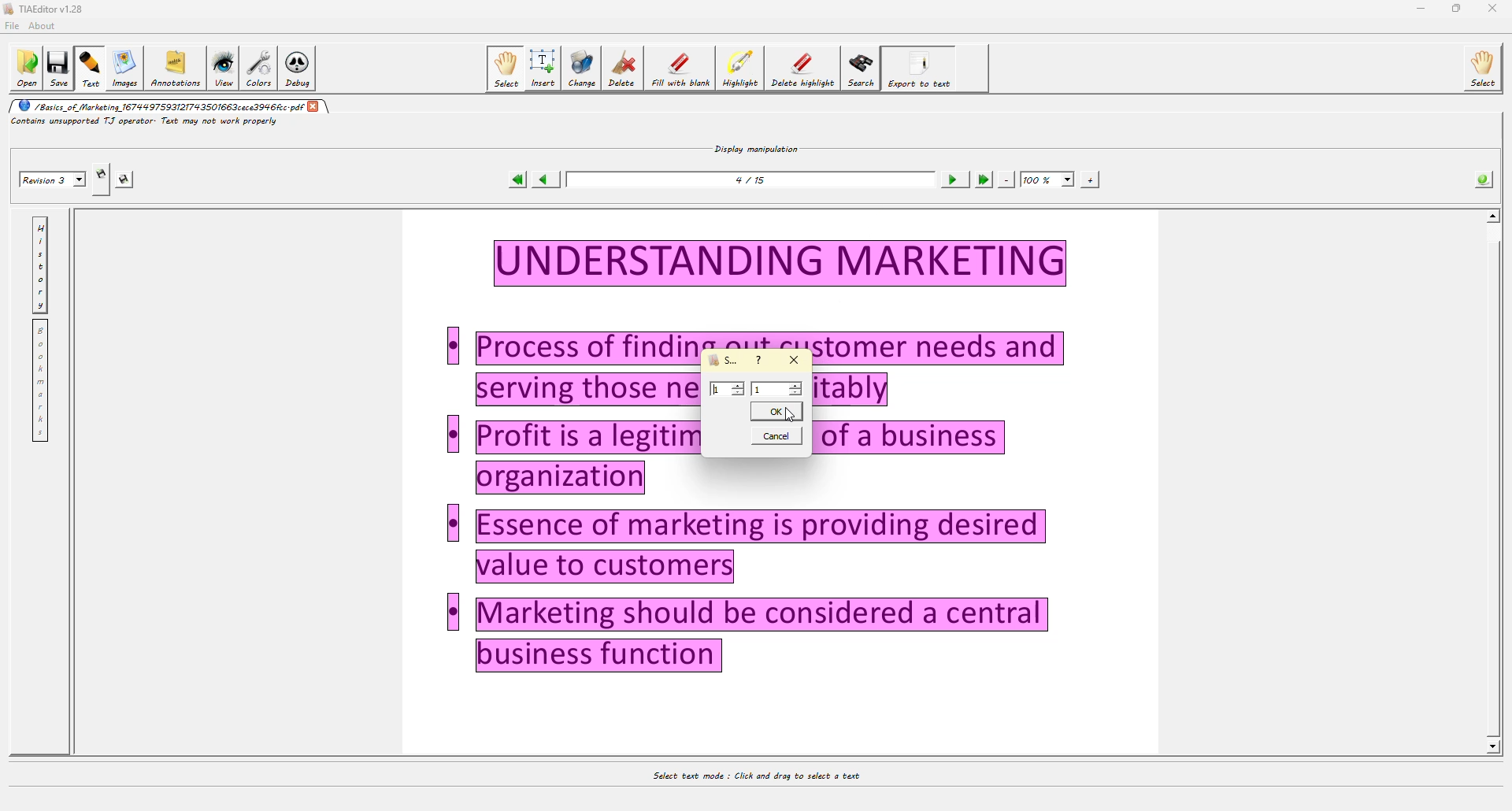 The width and height of the screenshot is (1512, 811). Describe the element at coordinates (150, 126) in the screenshot. I see `Contains unsupported TJ operator: Text may not work properly` at that location.